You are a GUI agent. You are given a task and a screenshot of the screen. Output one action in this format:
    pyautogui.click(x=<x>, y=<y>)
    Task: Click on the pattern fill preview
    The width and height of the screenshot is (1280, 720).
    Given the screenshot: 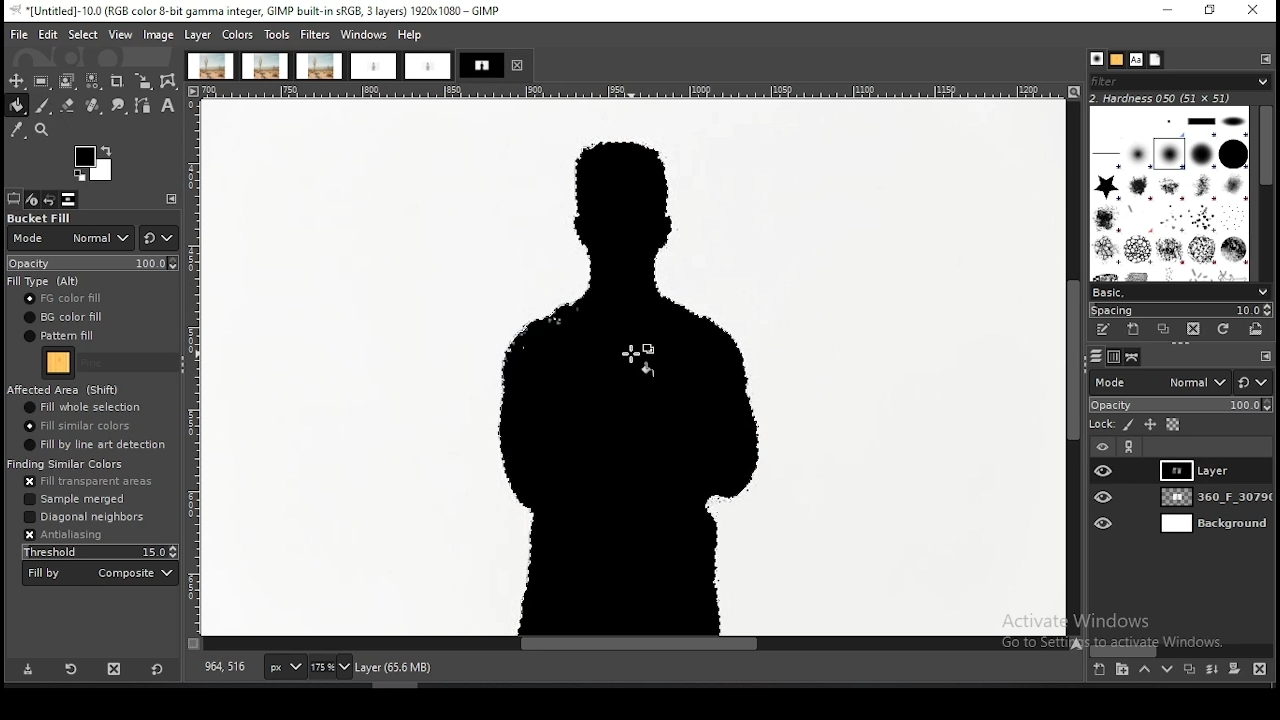 What is the action you would take?
    pyautogui.click(x=57, y=363)
    